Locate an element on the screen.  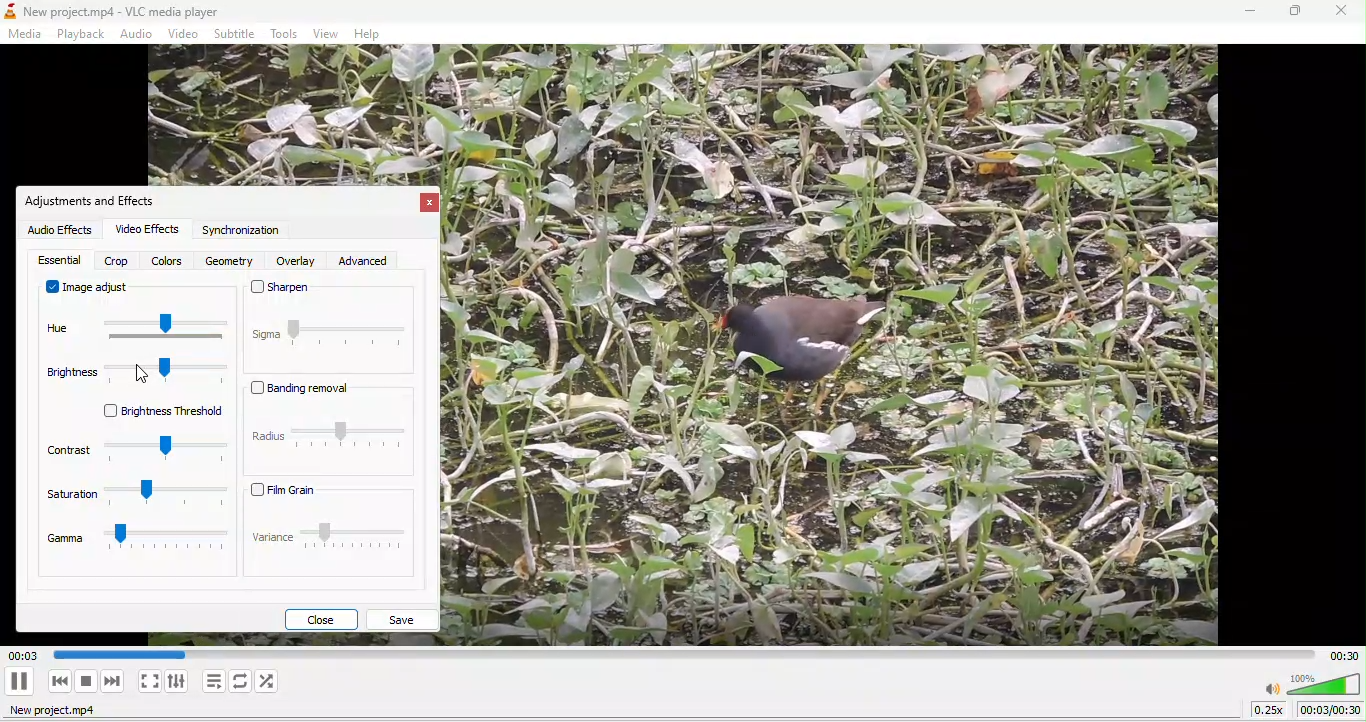
view is located at coordinates (324, 34).